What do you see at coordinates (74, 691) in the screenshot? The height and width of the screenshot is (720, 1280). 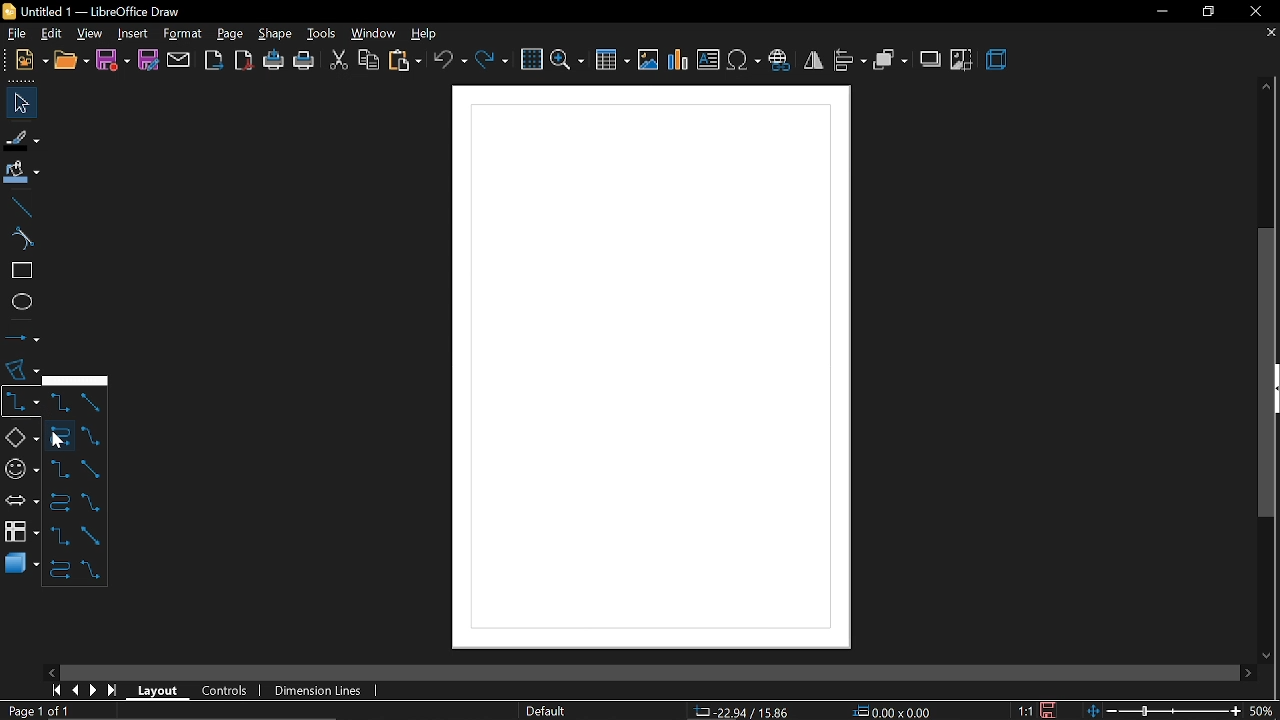 I see `previous page` at bounding box center [74, 691].